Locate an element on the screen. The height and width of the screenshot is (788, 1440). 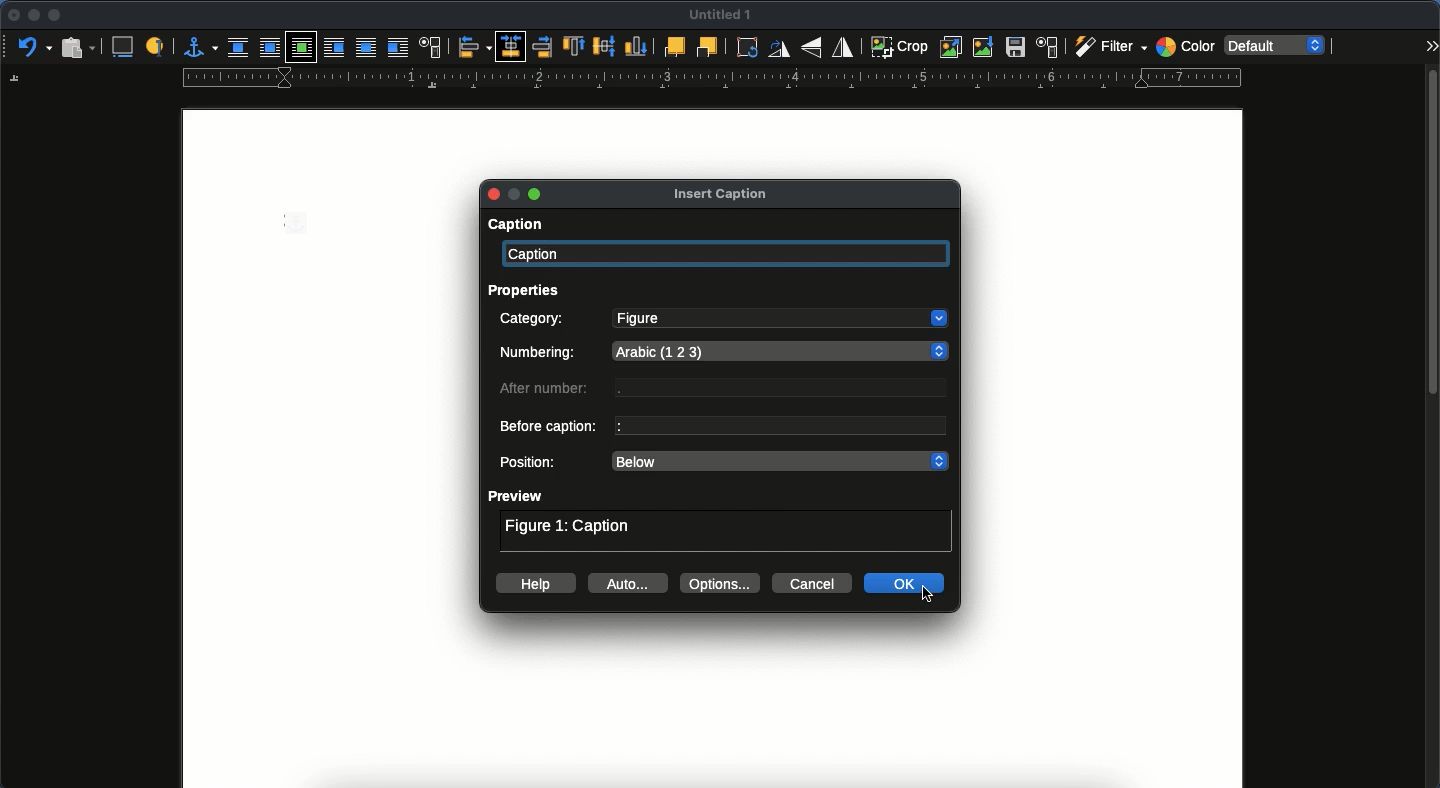
cursor is located at coordinates (929, 595).